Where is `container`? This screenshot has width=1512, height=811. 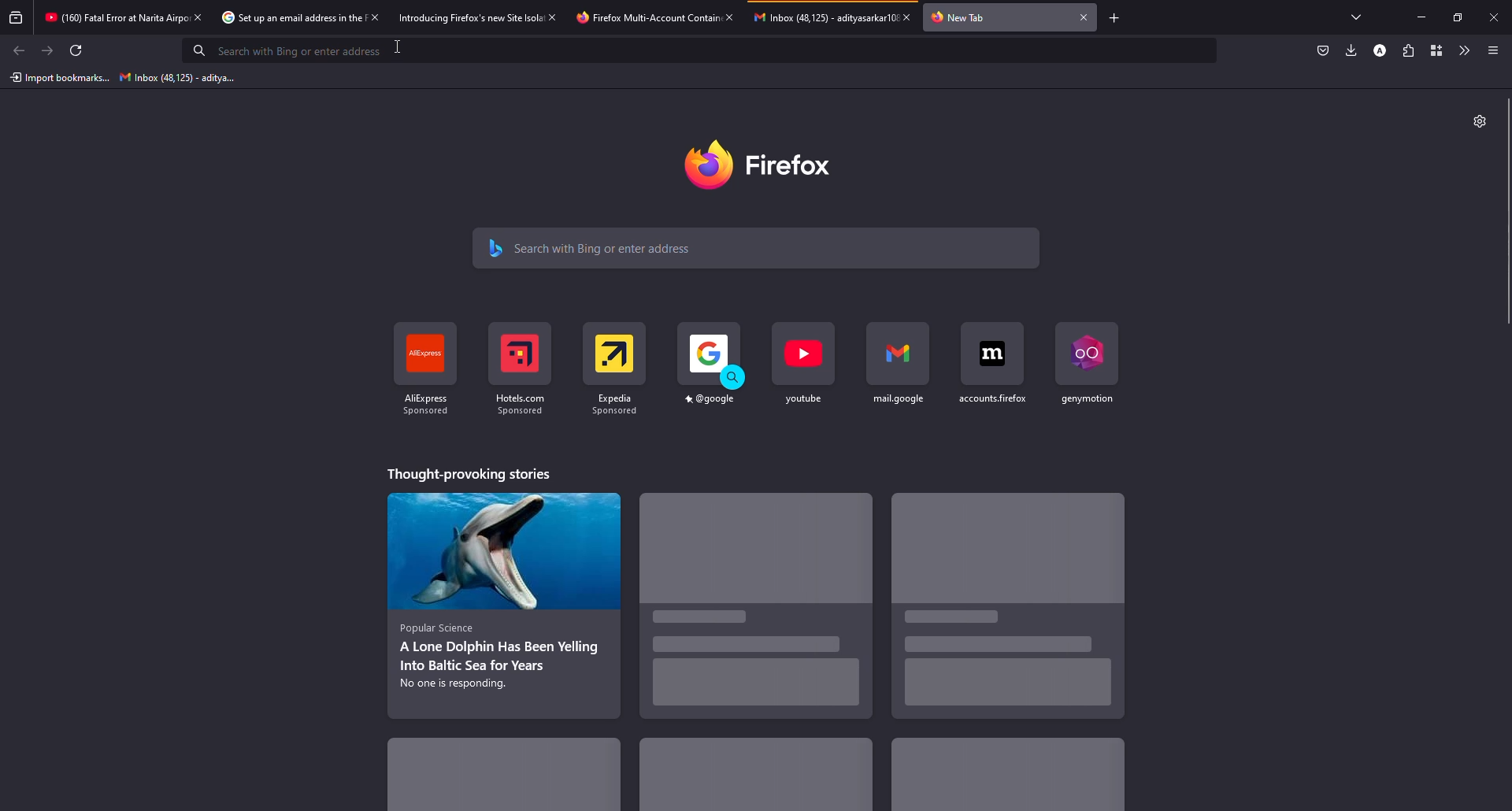 container is located at coordinates (1434, 50).